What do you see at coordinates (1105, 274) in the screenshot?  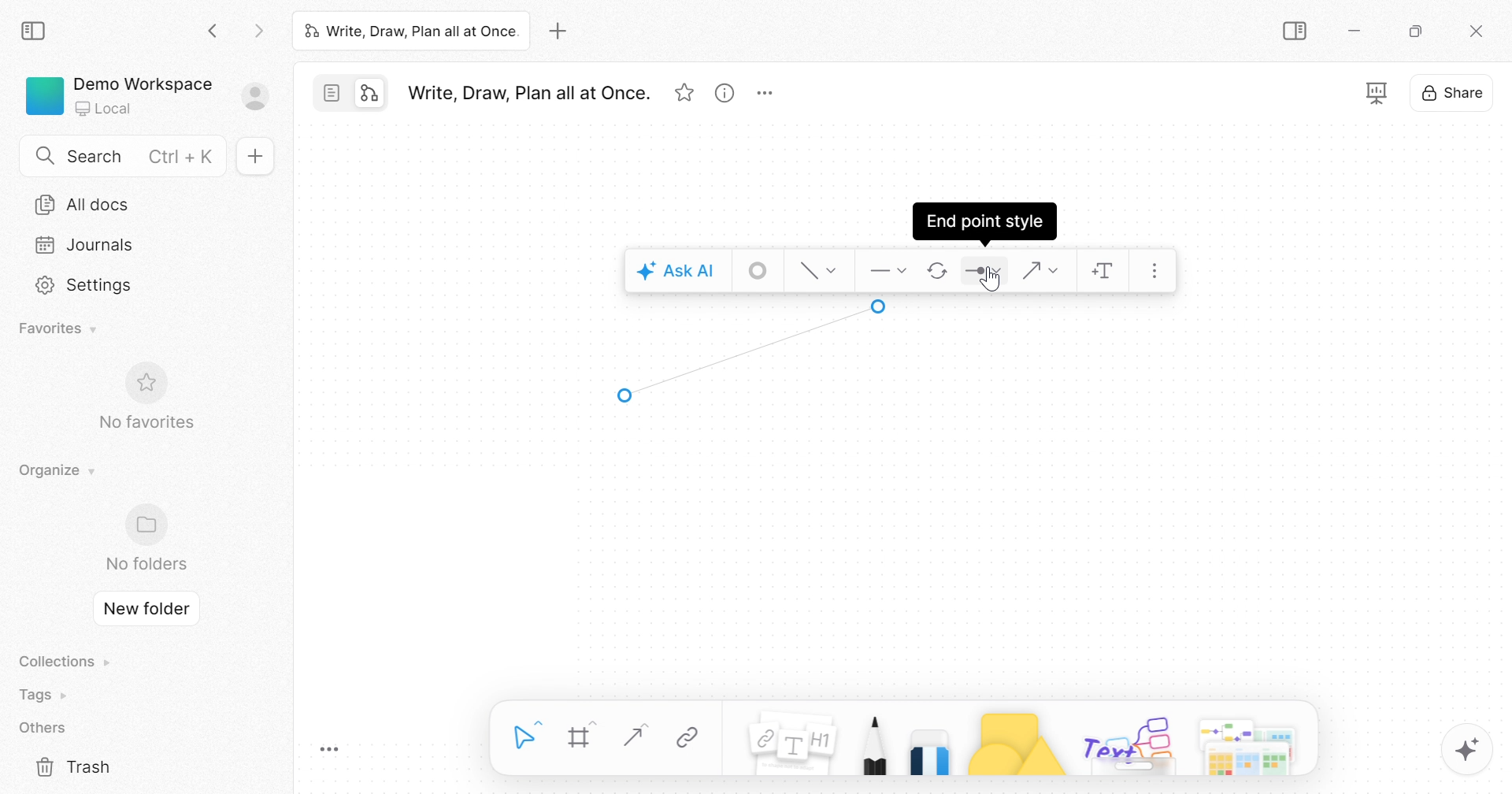 I see `Add text` at bounding box center [1105, 274].